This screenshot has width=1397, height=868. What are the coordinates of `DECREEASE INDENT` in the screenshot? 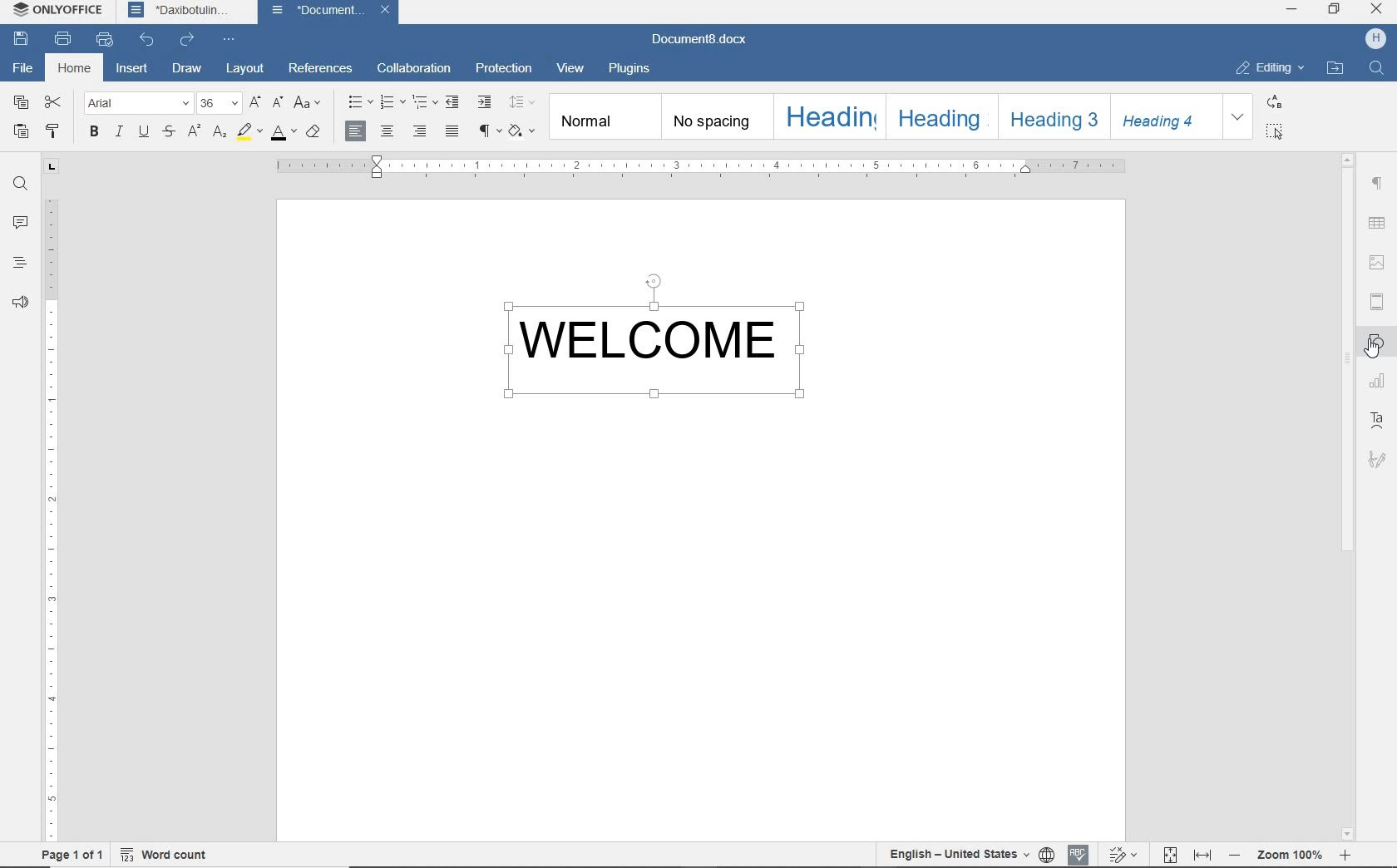 It's located at (453, 102).